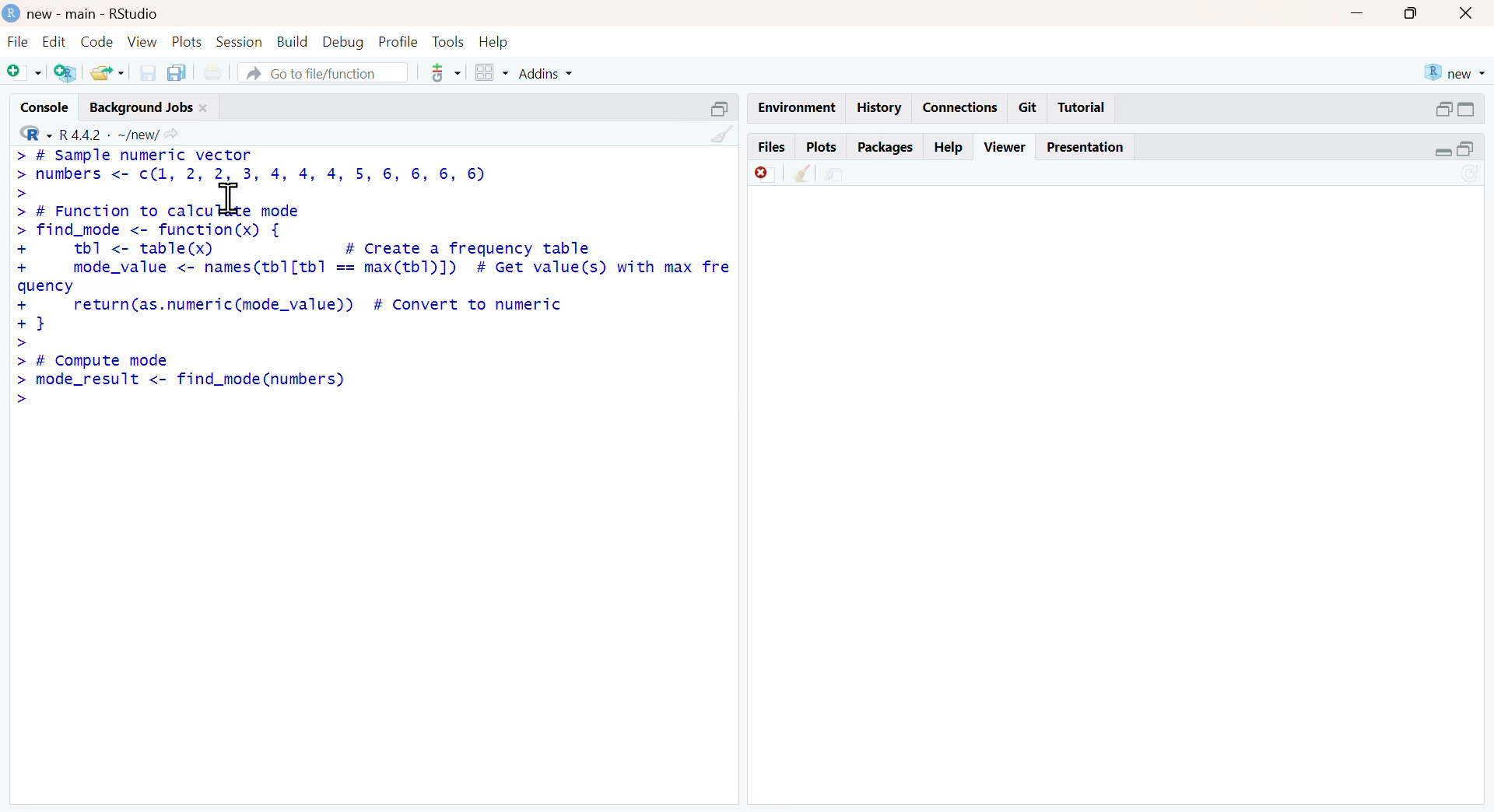 Image resolution: width=1494 pixels, height=812 pixels. Describe the element at coordinates (149, 72) in the screenshot. I see `save` at that location.